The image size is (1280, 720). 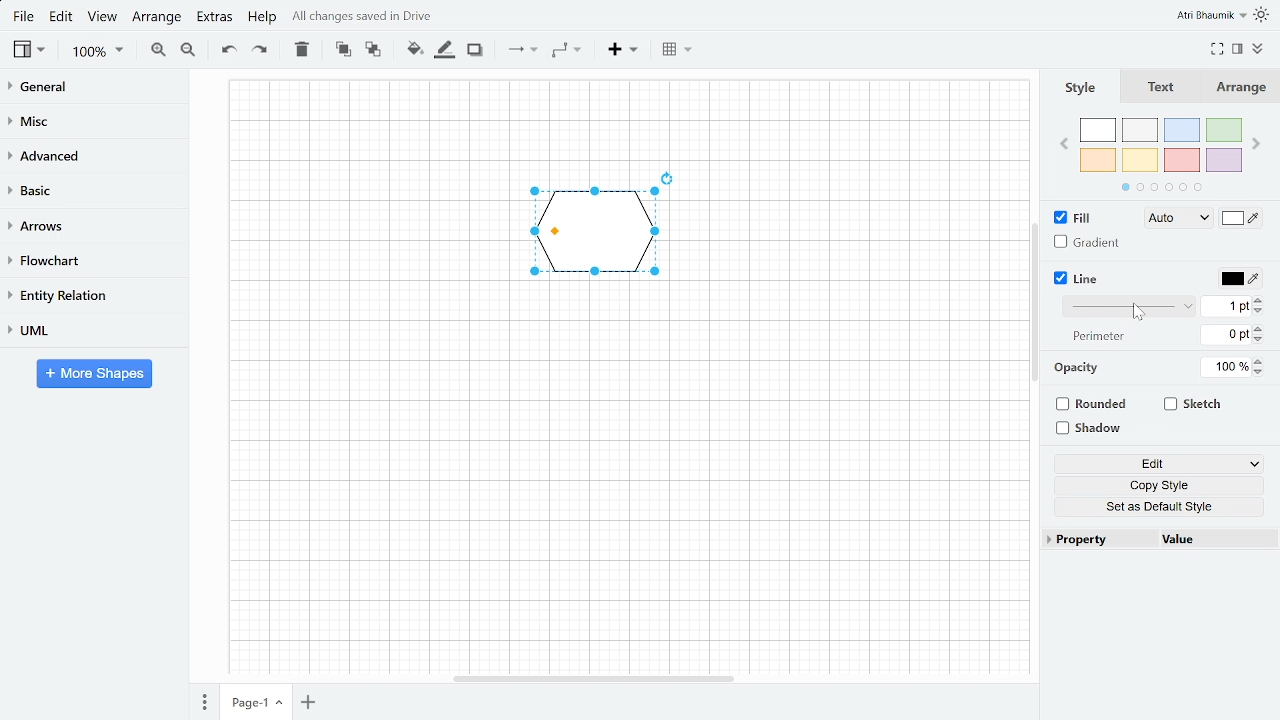 I want to click on Next, so click(x=1256, y=142).